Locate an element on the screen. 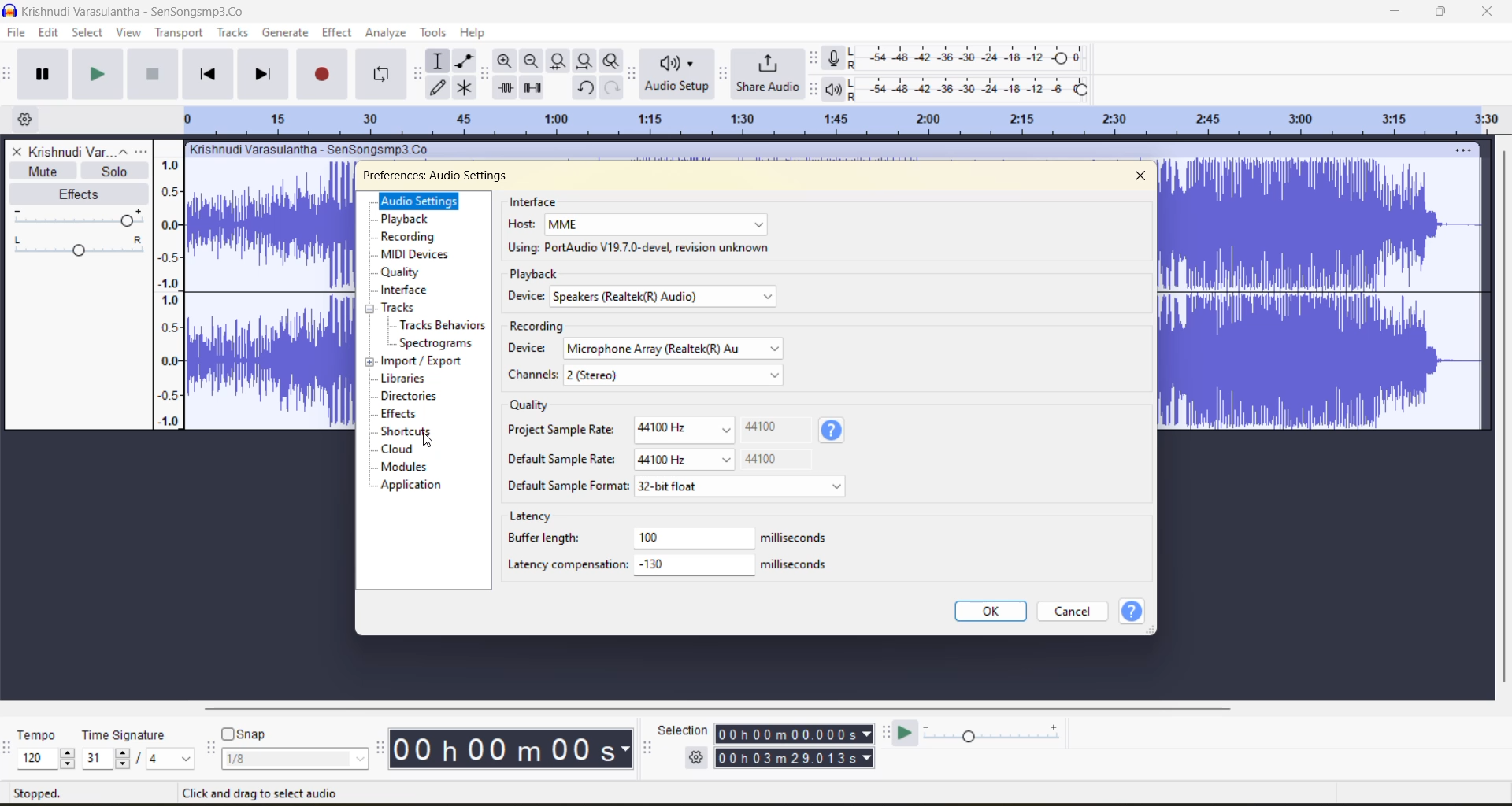  zoom out is located at coordinates (530, 61).